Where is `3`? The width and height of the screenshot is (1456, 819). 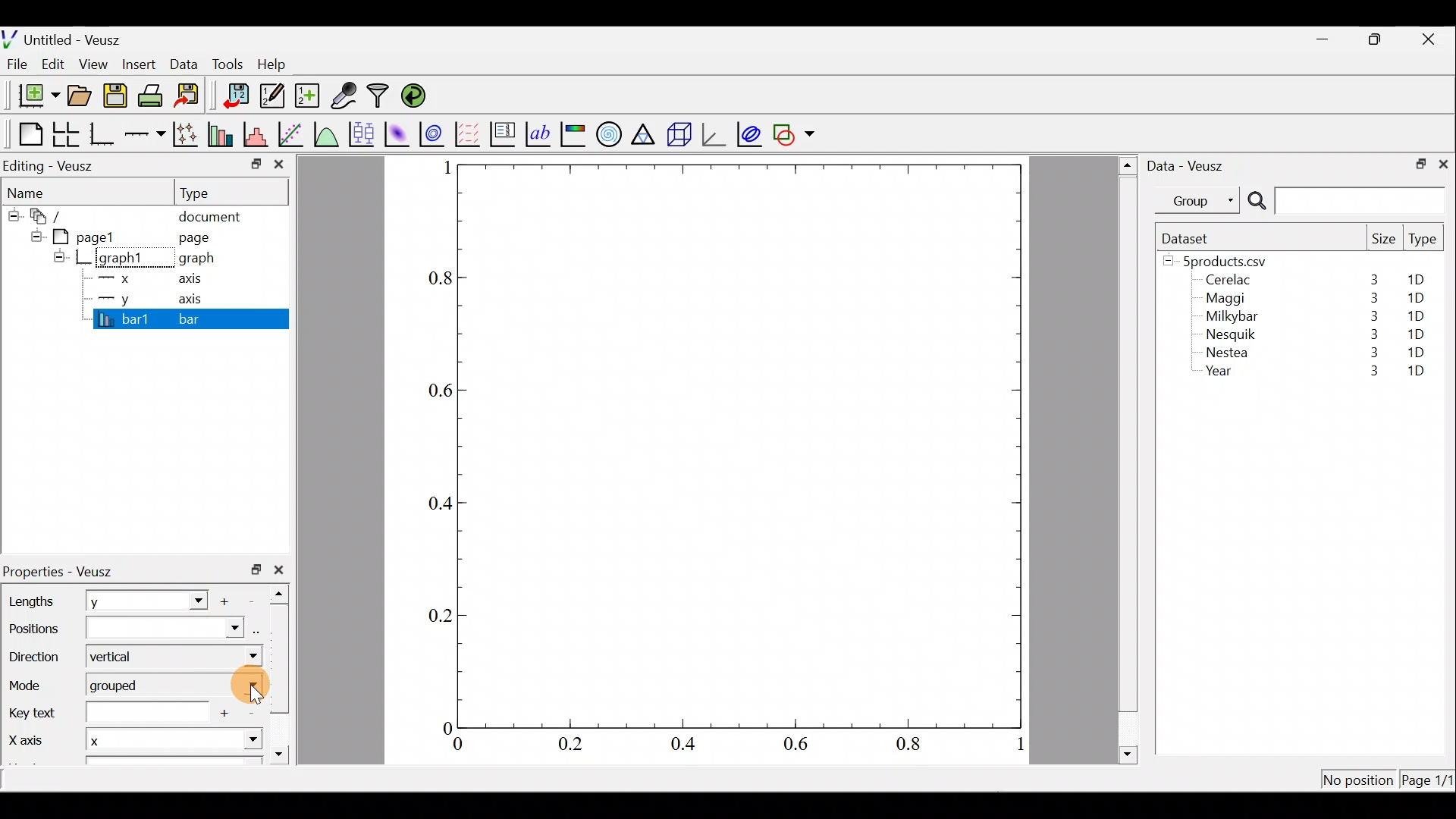
3 is located at coordinates (1370, 355).